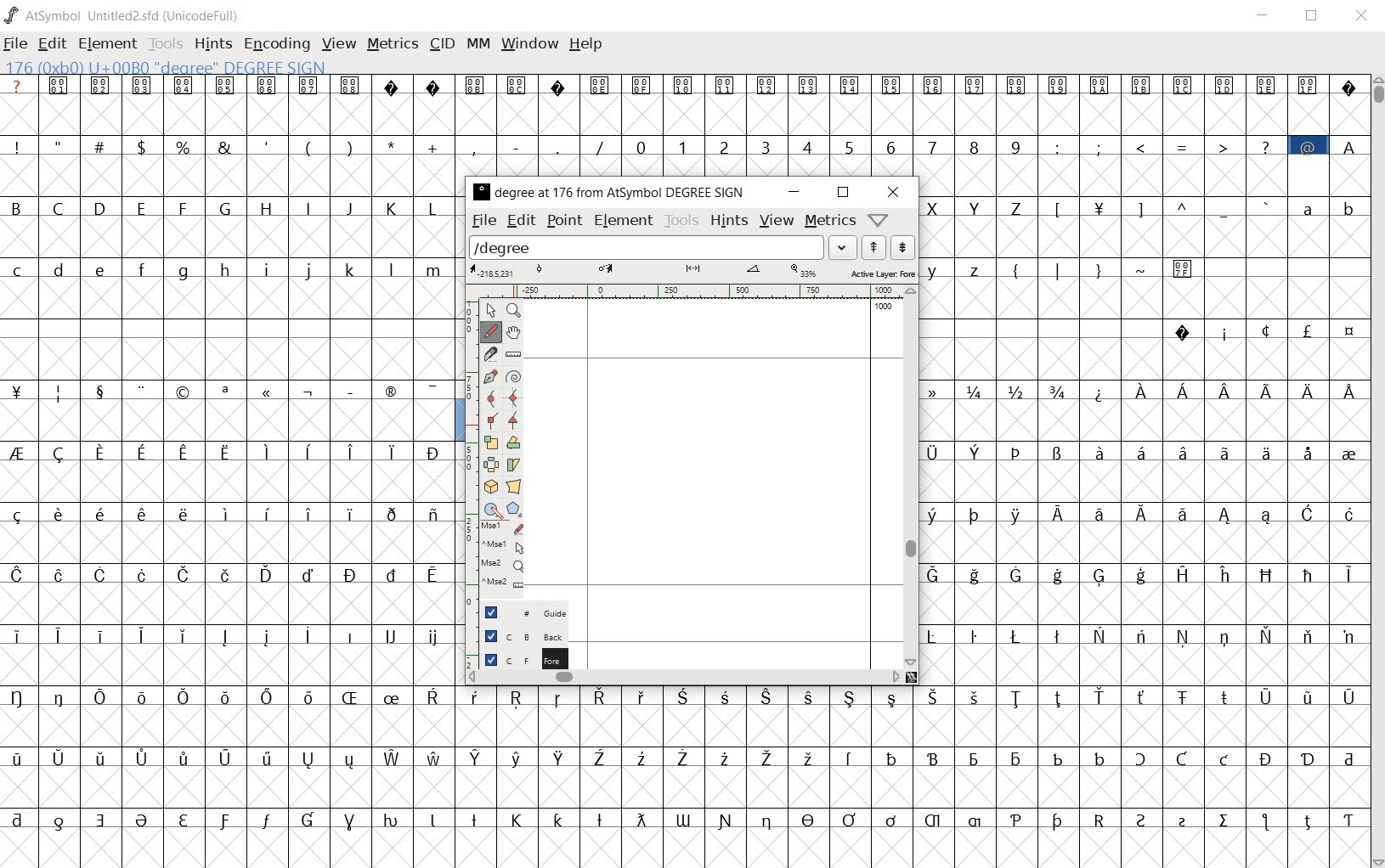 The height and width of the screenshot is (868, 1385). Describe the element at coordinates (108, 43) in the screenshot. I see `element` at that location.